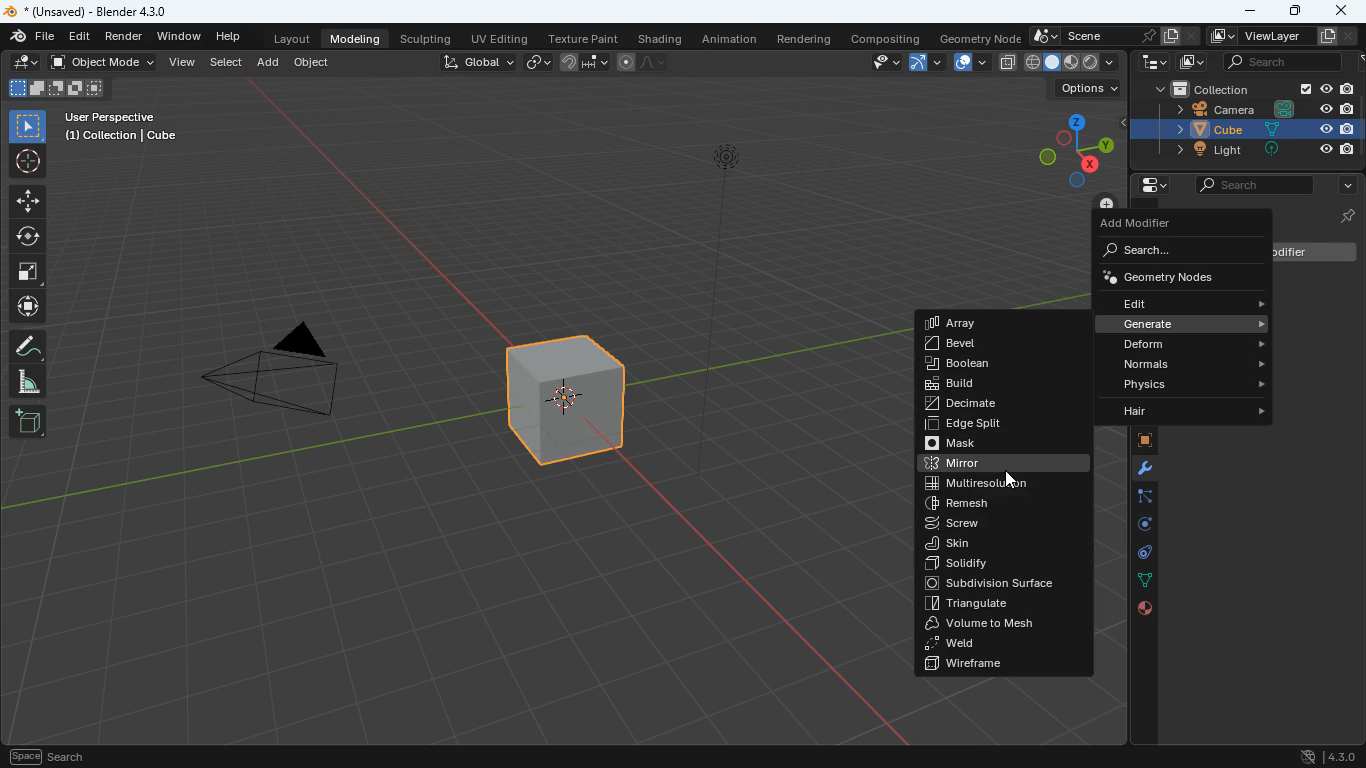 The image size is (1366, 768). What do you see at coordinates (584, 61) in the screenshot?
I see `join` at bounding box center [584, 61].